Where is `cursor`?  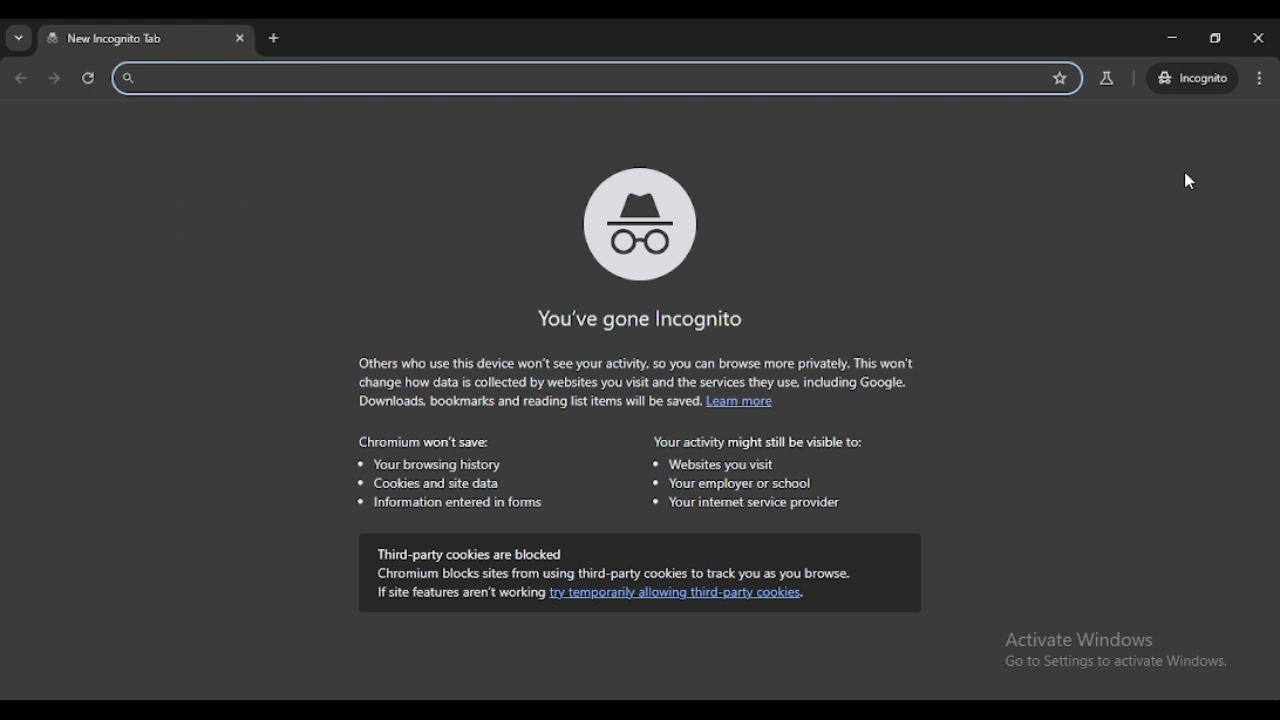
cursor is located at coordinates (1188, 182).